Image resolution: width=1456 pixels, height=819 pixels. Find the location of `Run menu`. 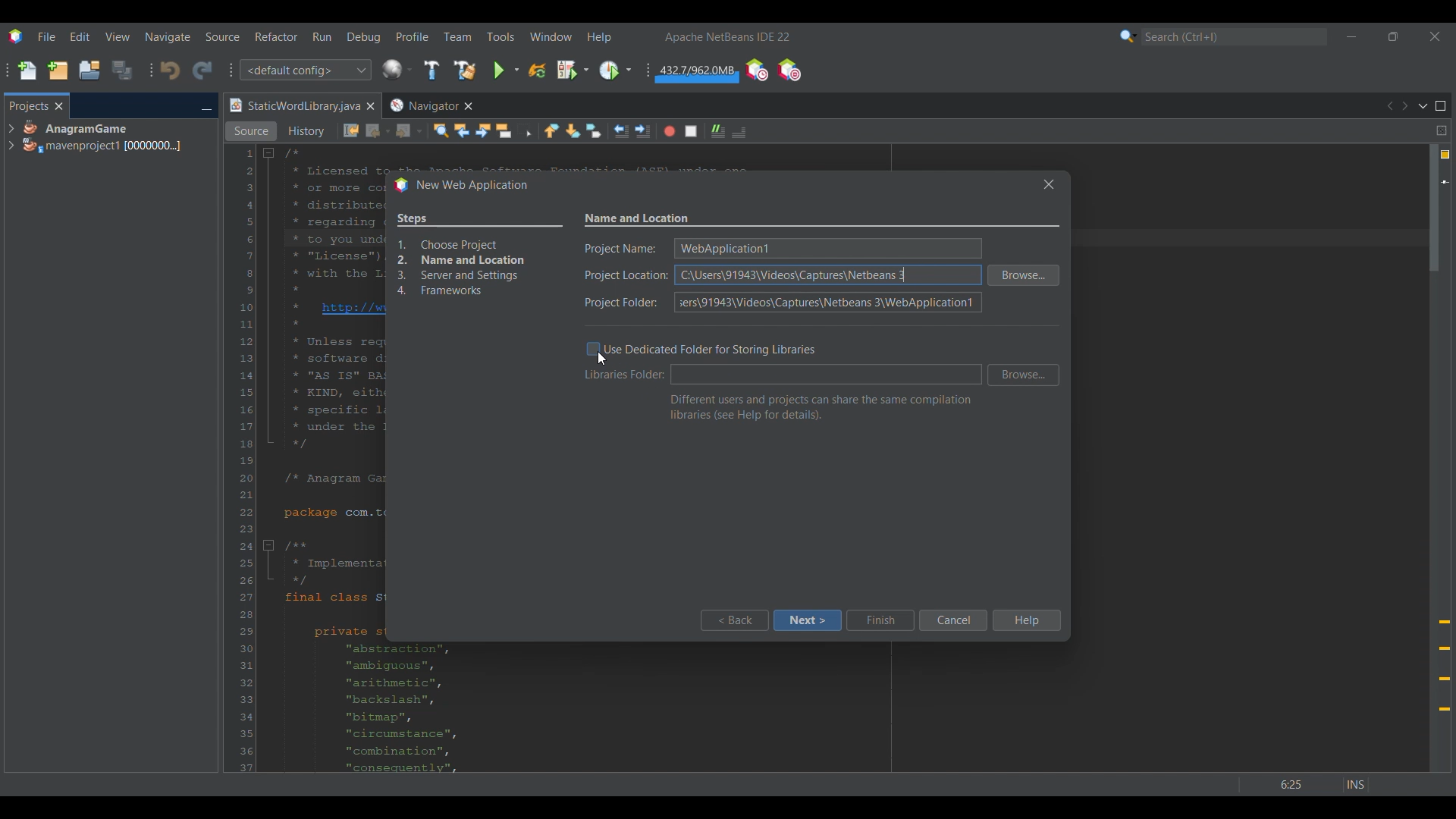

Run menu is located at coordinates (322, 36).